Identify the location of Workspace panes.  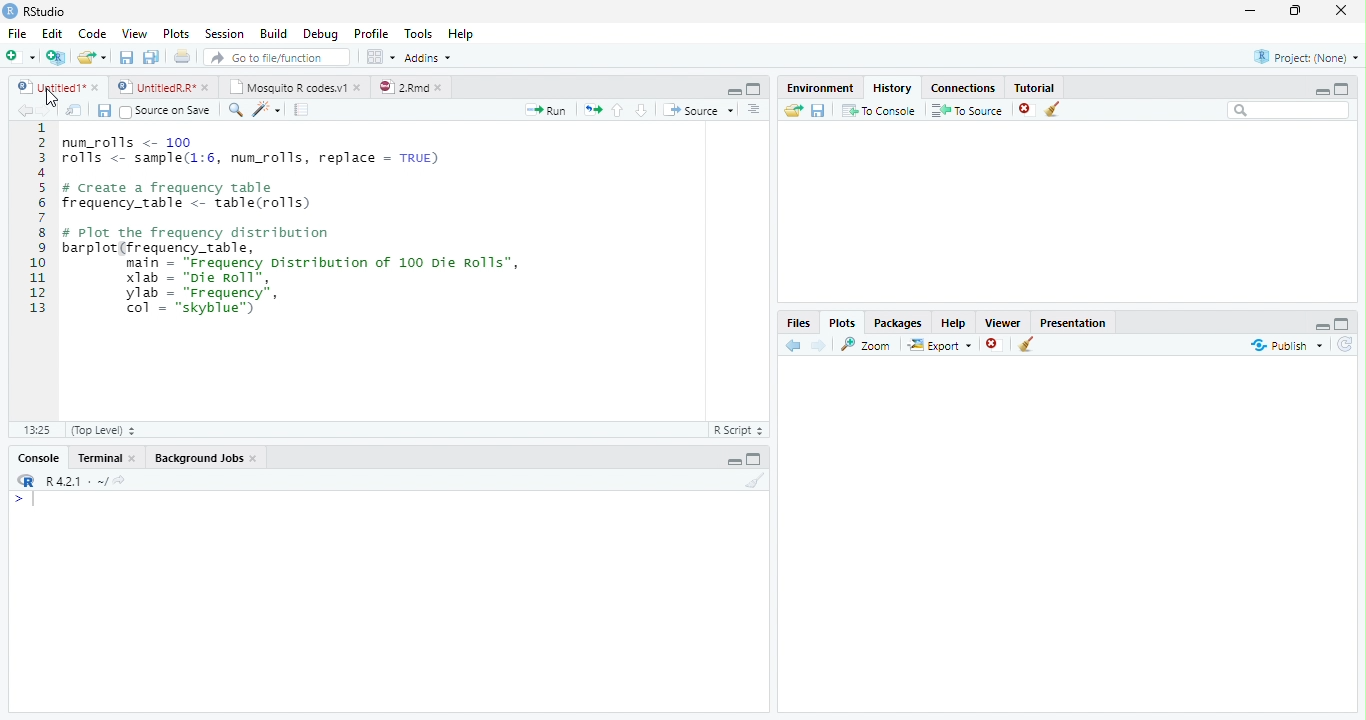
(379, 57).